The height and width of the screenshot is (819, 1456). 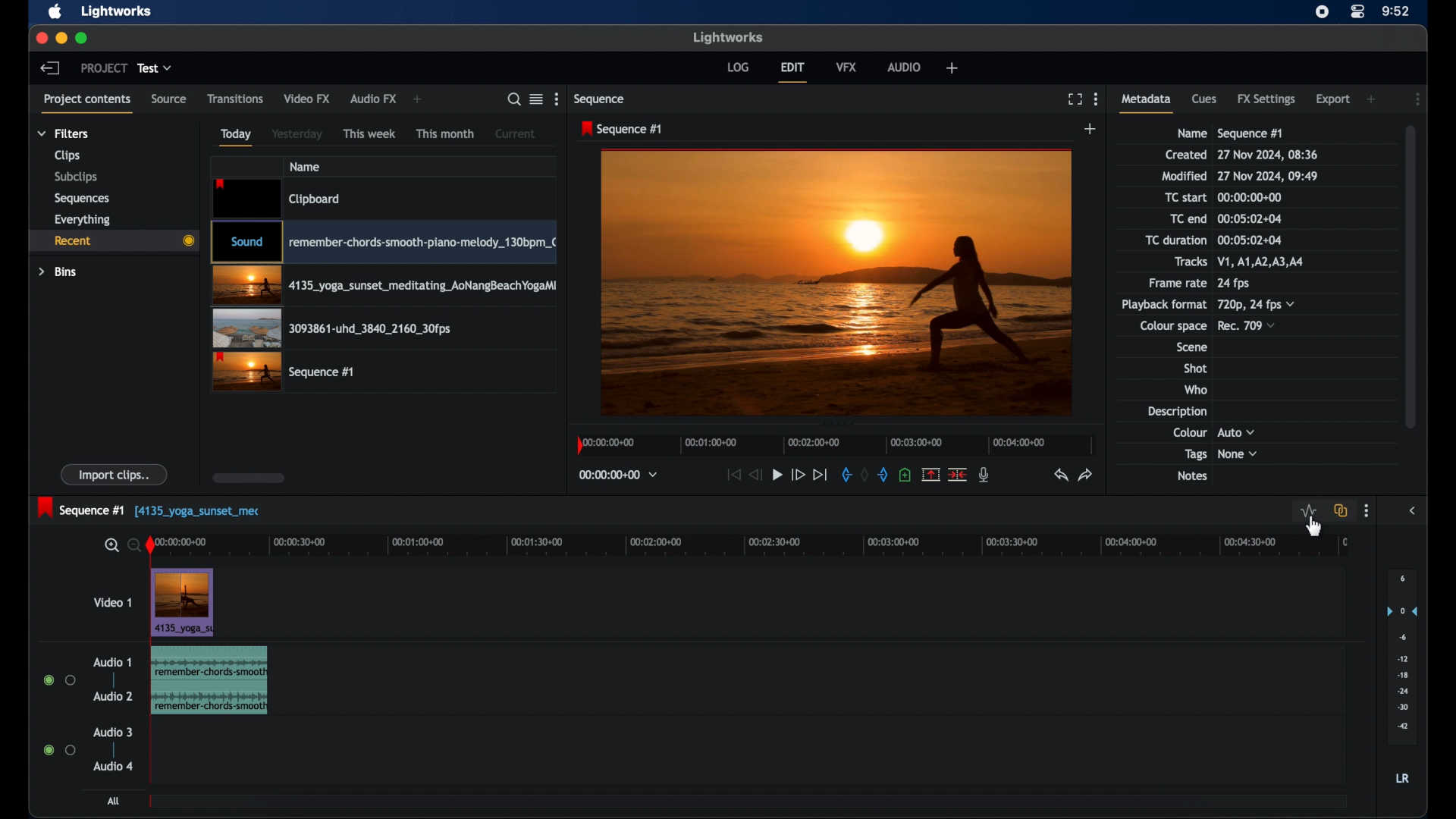 I want to click on this month, so click(x=446, y=134).